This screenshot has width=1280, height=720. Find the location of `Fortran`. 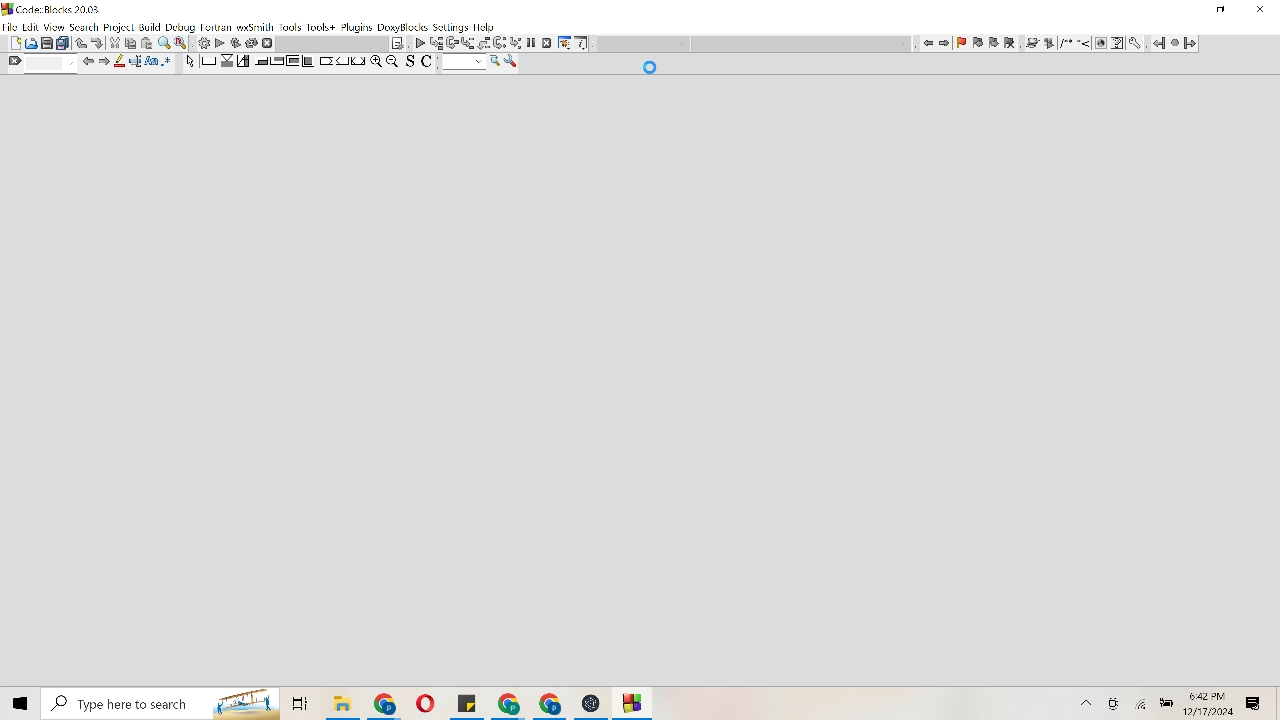

Fortran is located at coordinates (217, 28).